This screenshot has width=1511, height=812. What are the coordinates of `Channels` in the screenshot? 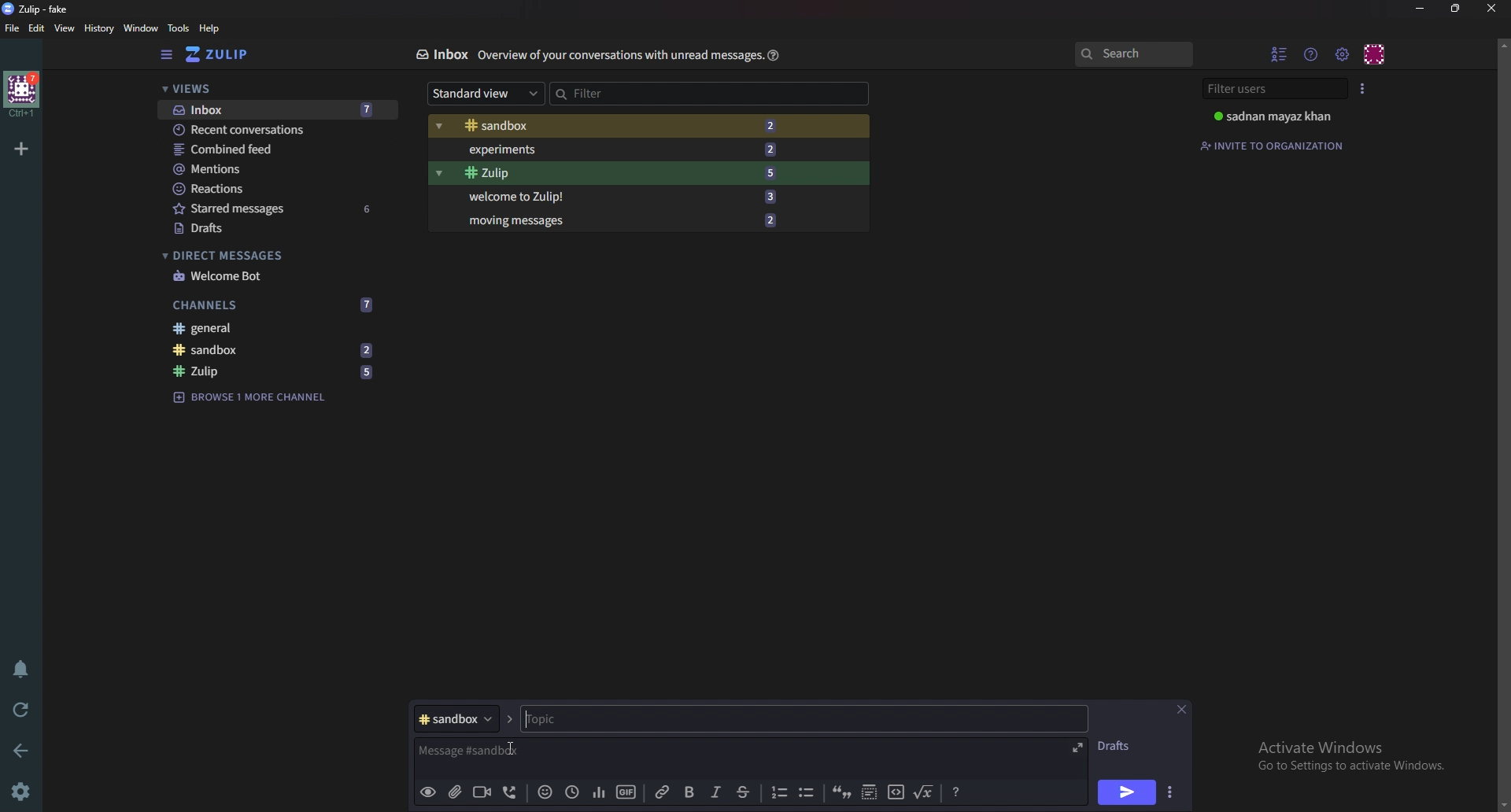 It's located at (274, 305).